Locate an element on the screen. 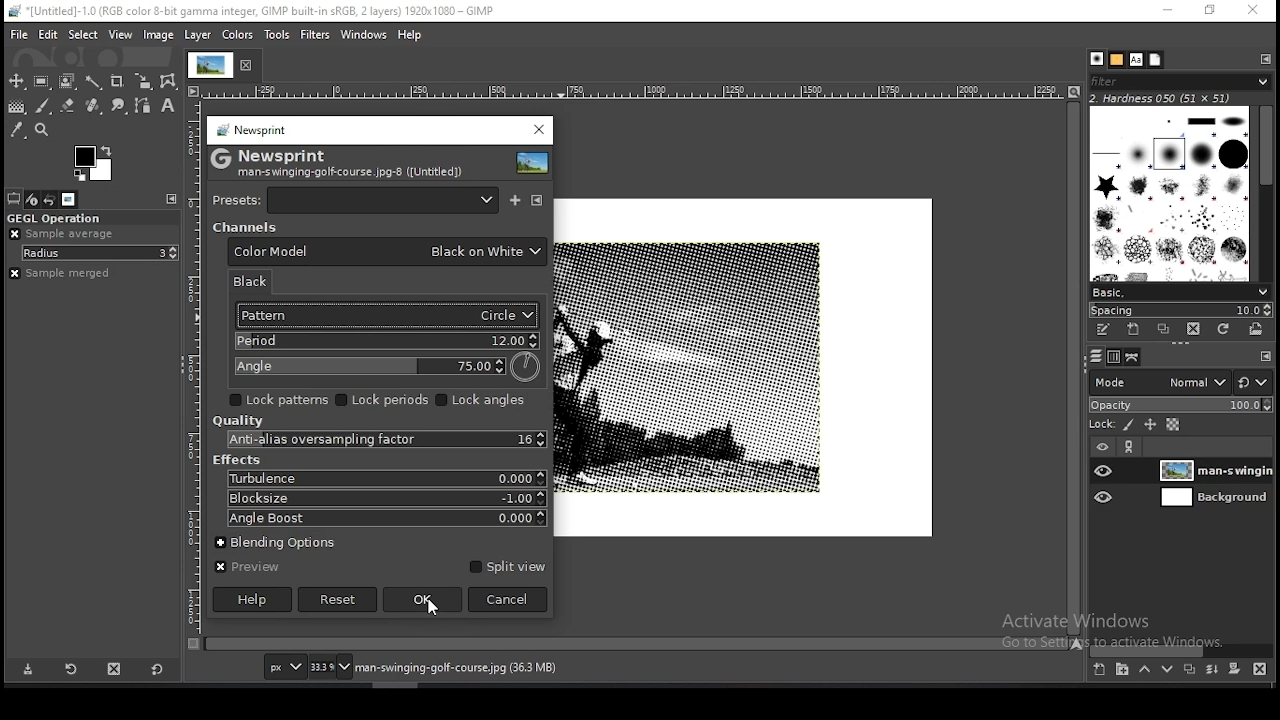  scroll bar is located at coordinates (1261, 193).